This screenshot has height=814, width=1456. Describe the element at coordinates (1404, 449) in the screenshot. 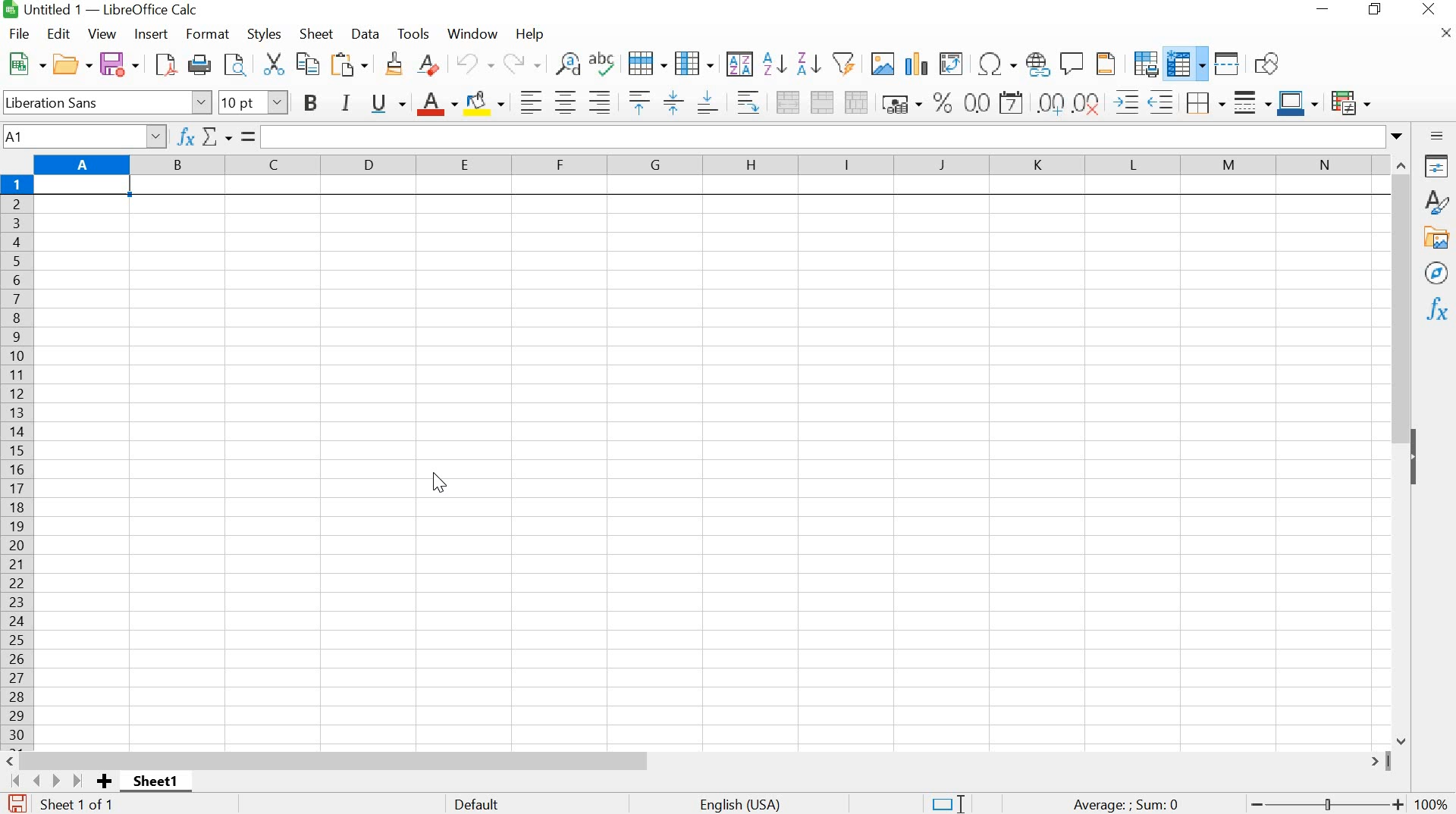

I see `SCROLLBAR` at that location.